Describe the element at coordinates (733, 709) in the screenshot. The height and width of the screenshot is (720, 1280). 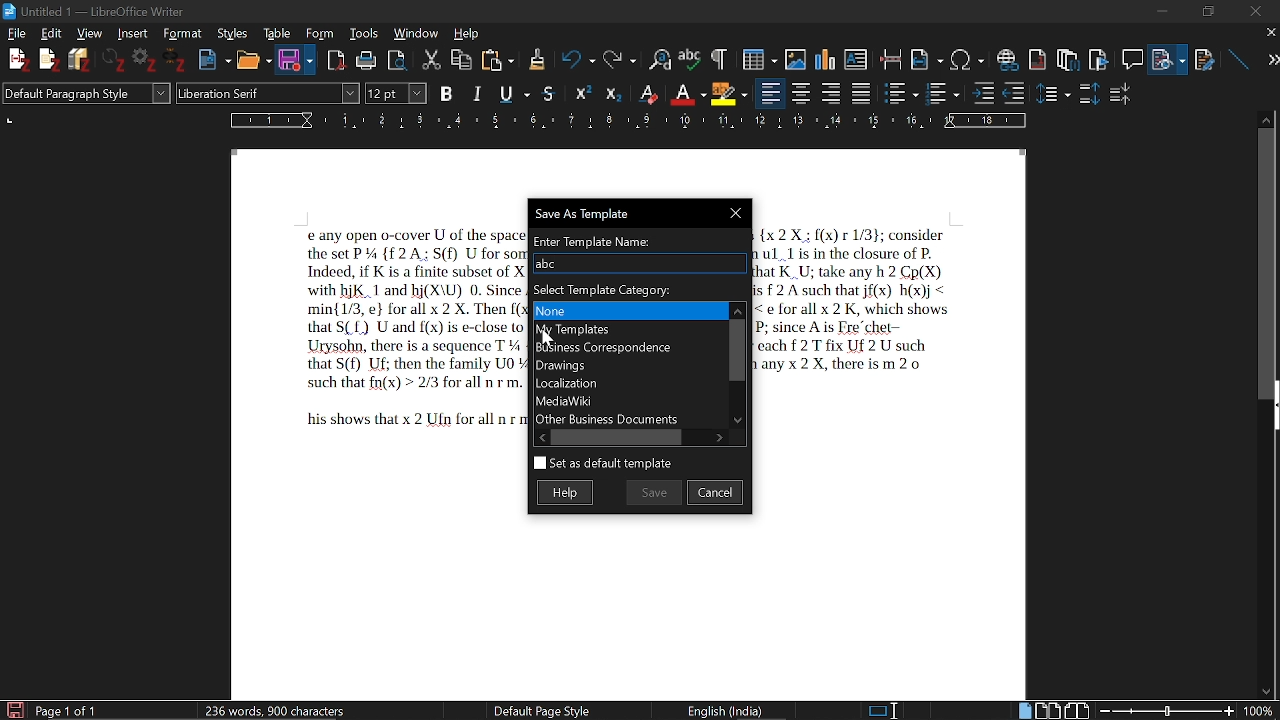
I see `English(India)` at that location.